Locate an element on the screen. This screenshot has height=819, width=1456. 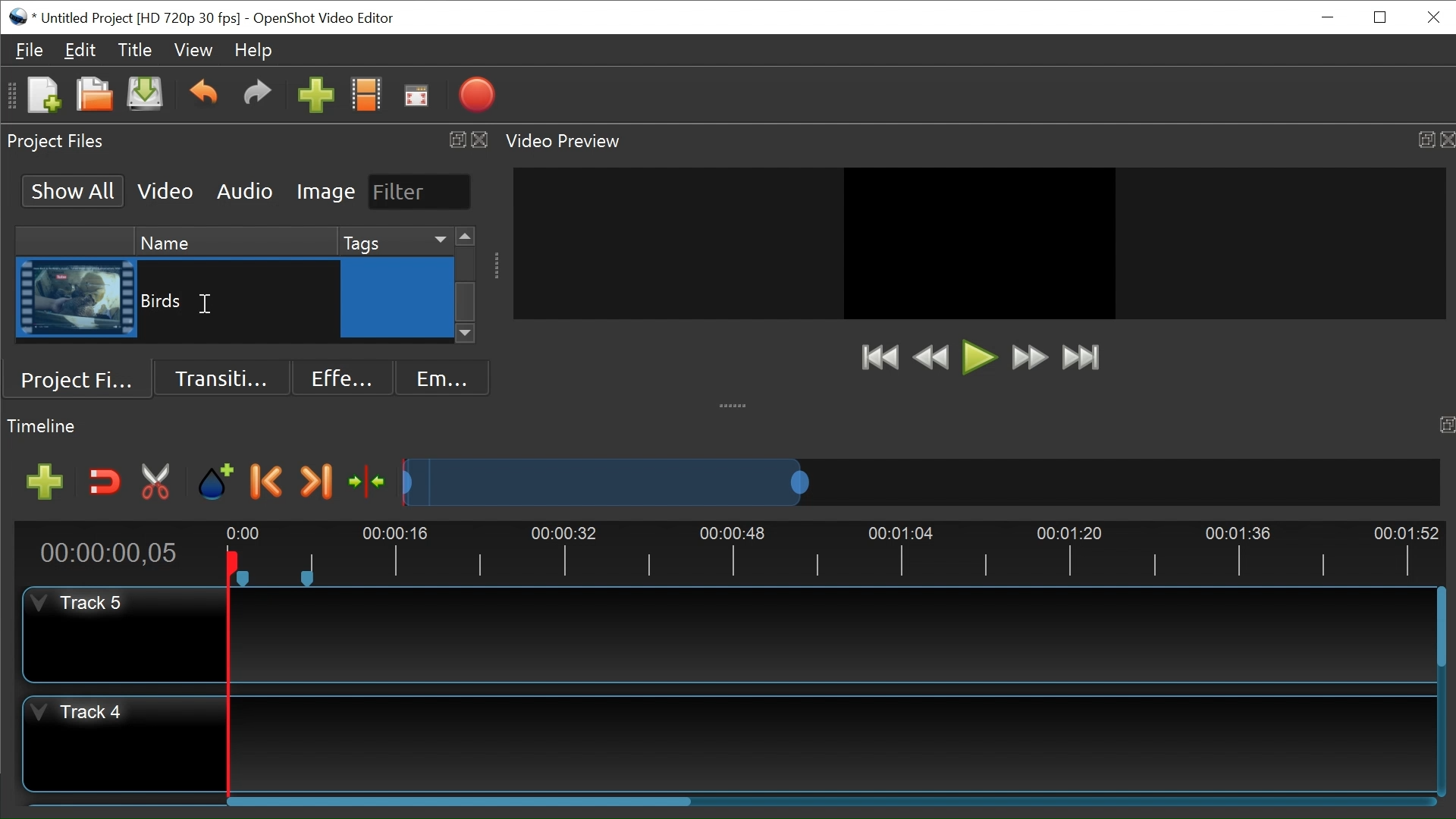
minimize is located at coordinates (1329, 17).